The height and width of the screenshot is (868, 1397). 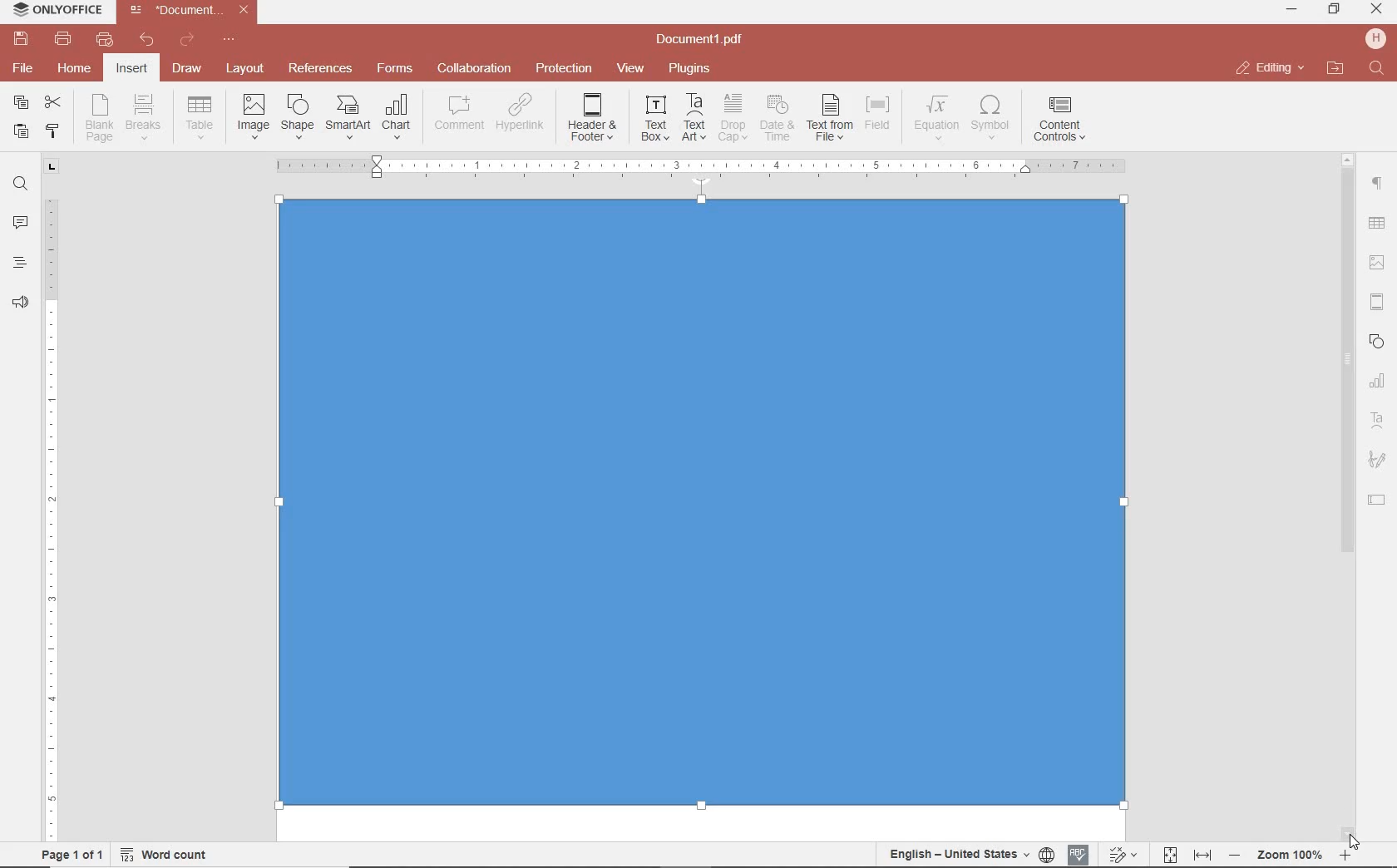 I want to click on view, so click(x=630, y=69).